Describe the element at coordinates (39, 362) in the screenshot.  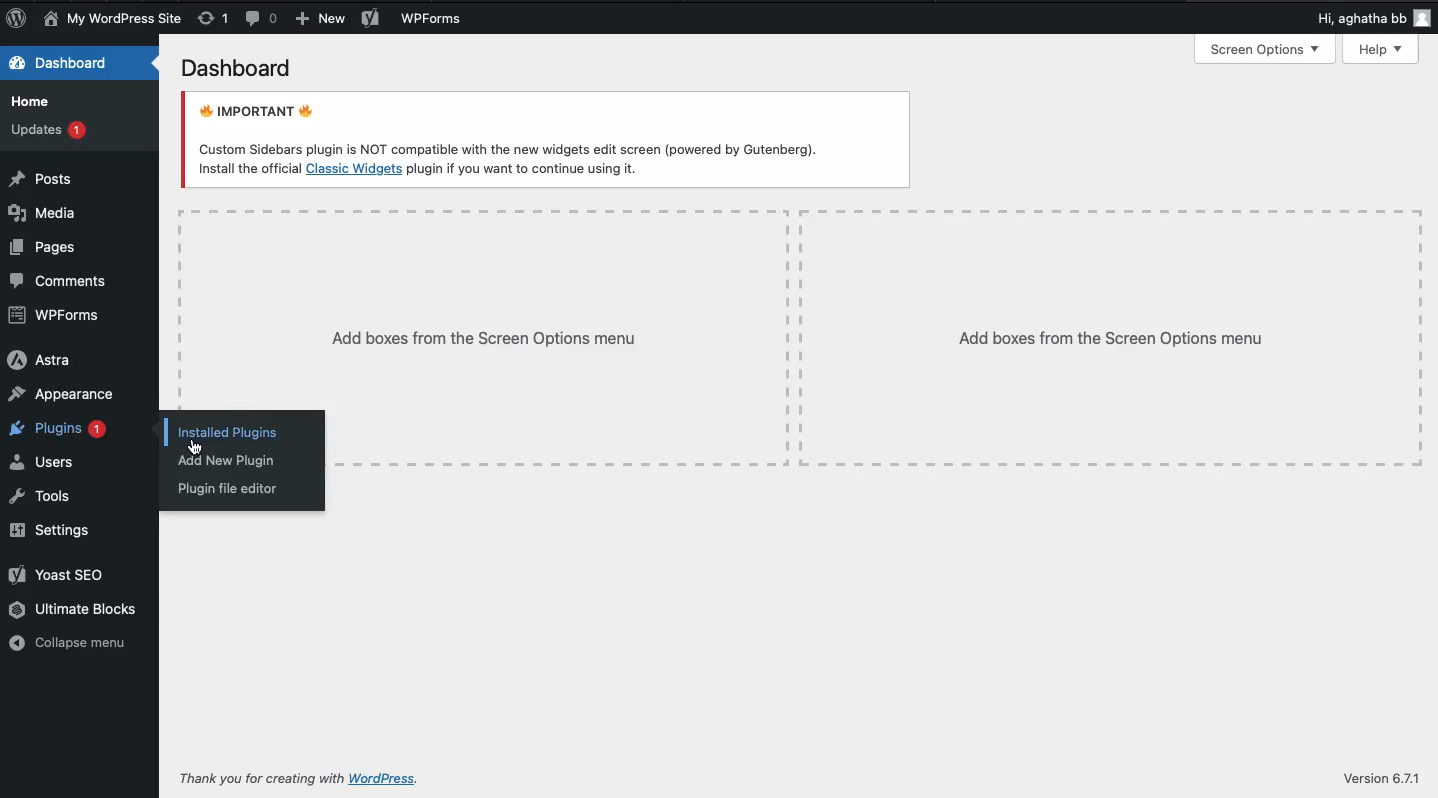
I see `Astra` at that location.